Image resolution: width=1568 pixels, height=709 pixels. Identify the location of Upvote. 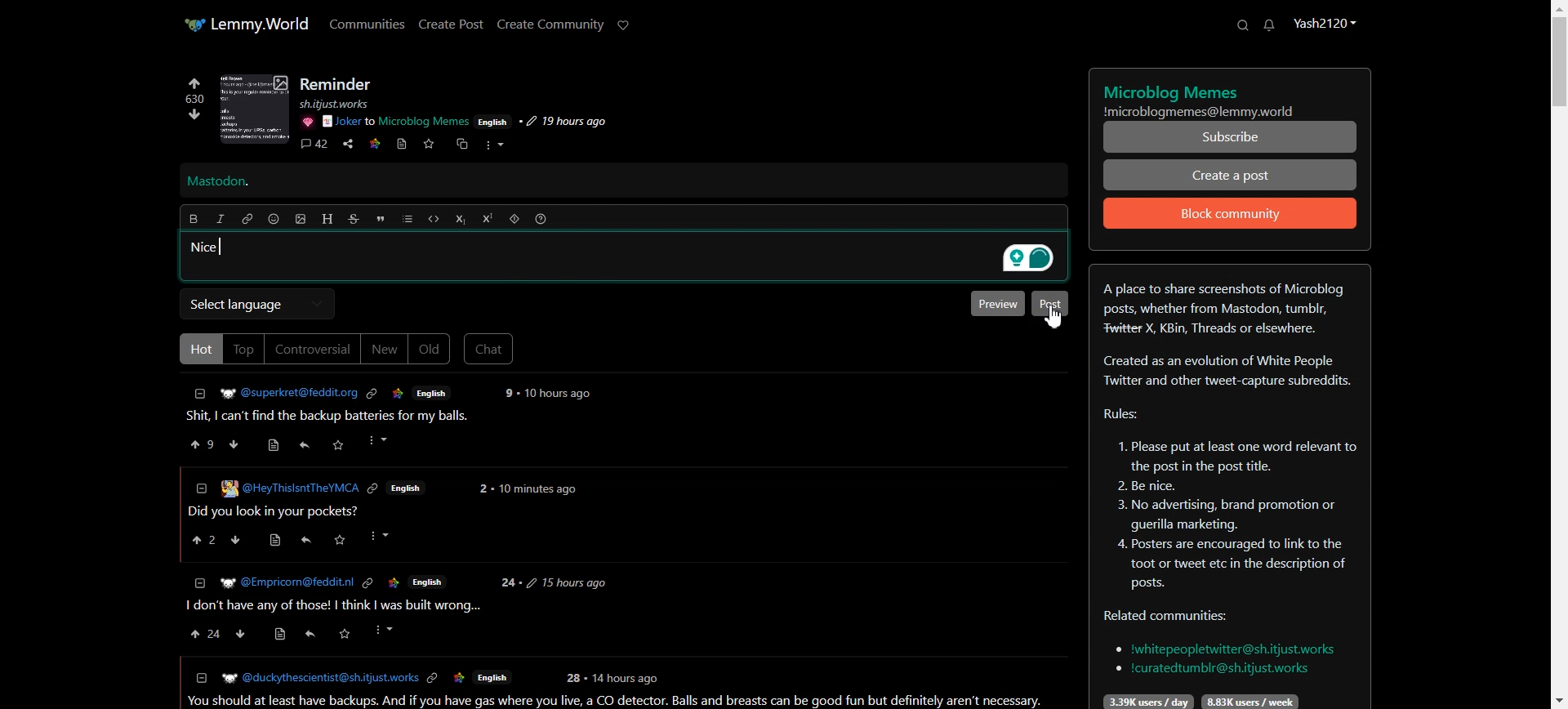
(194, 91).